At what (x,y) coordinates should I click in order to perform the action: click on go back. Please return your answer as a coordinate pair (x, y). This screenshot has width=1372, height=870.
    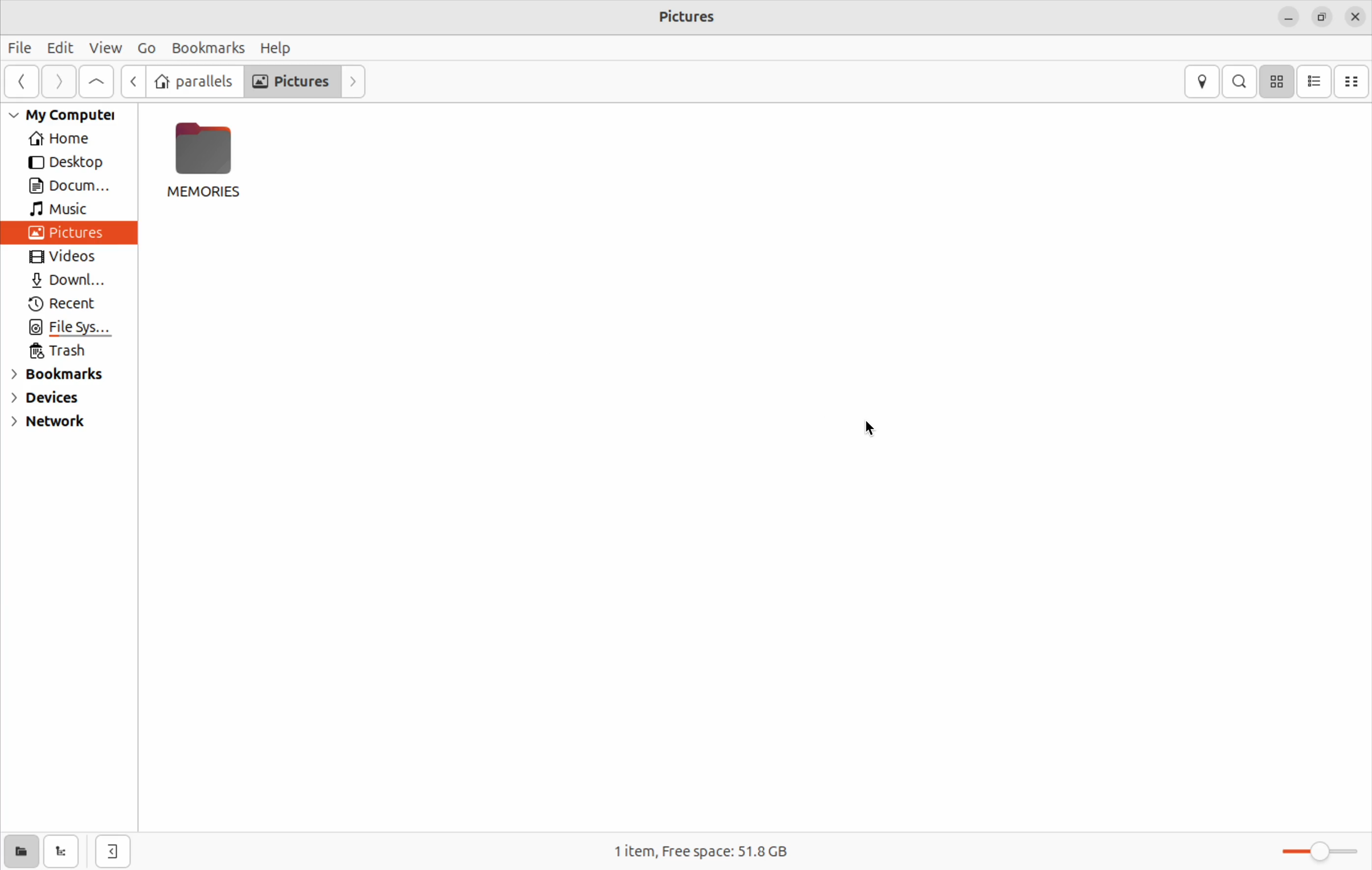
    Looking at the image, I should click on (20, 80).